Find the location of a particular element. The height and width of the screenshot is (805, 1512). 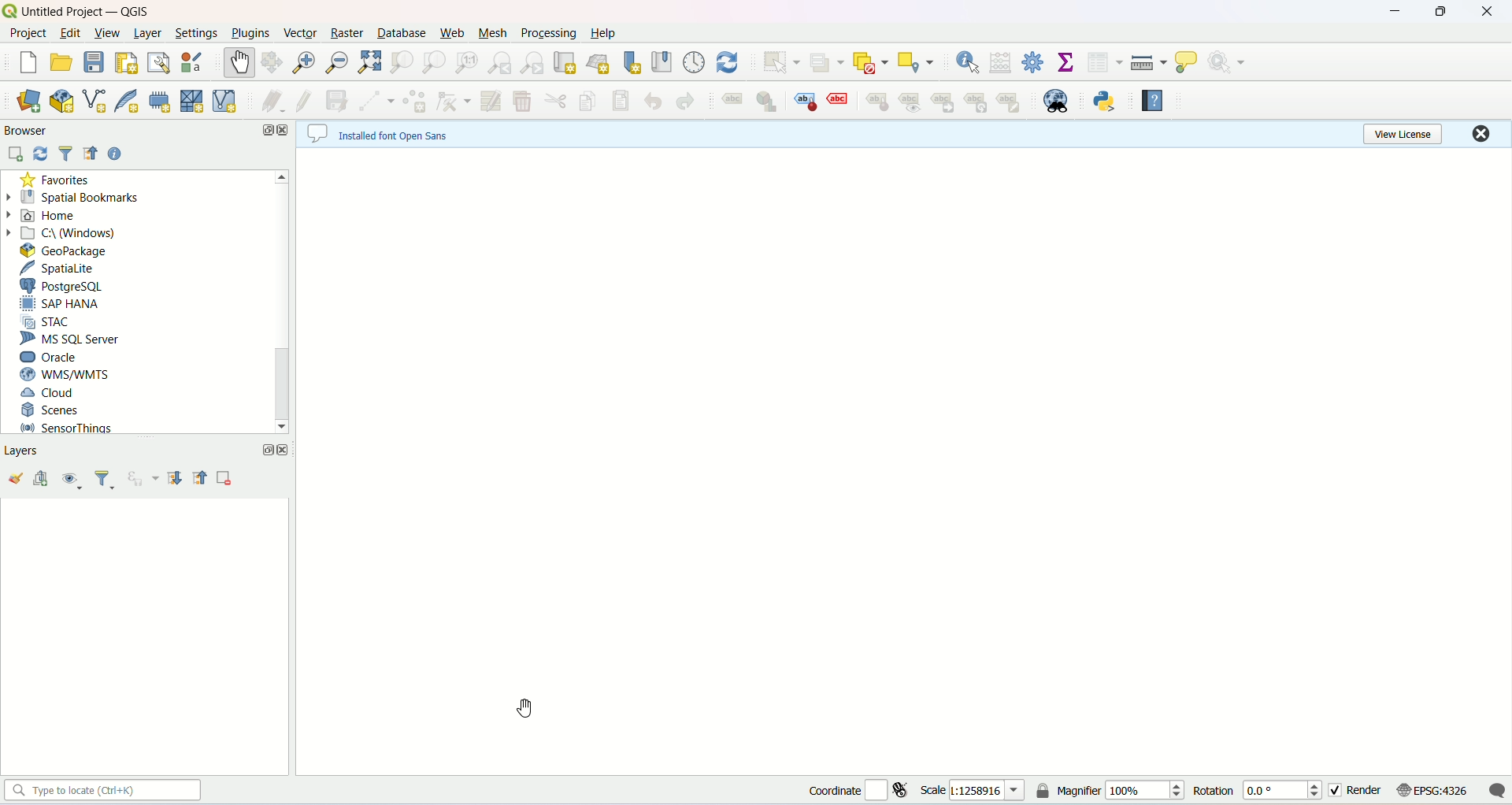

bookmark is located at coordinates (664, 62).